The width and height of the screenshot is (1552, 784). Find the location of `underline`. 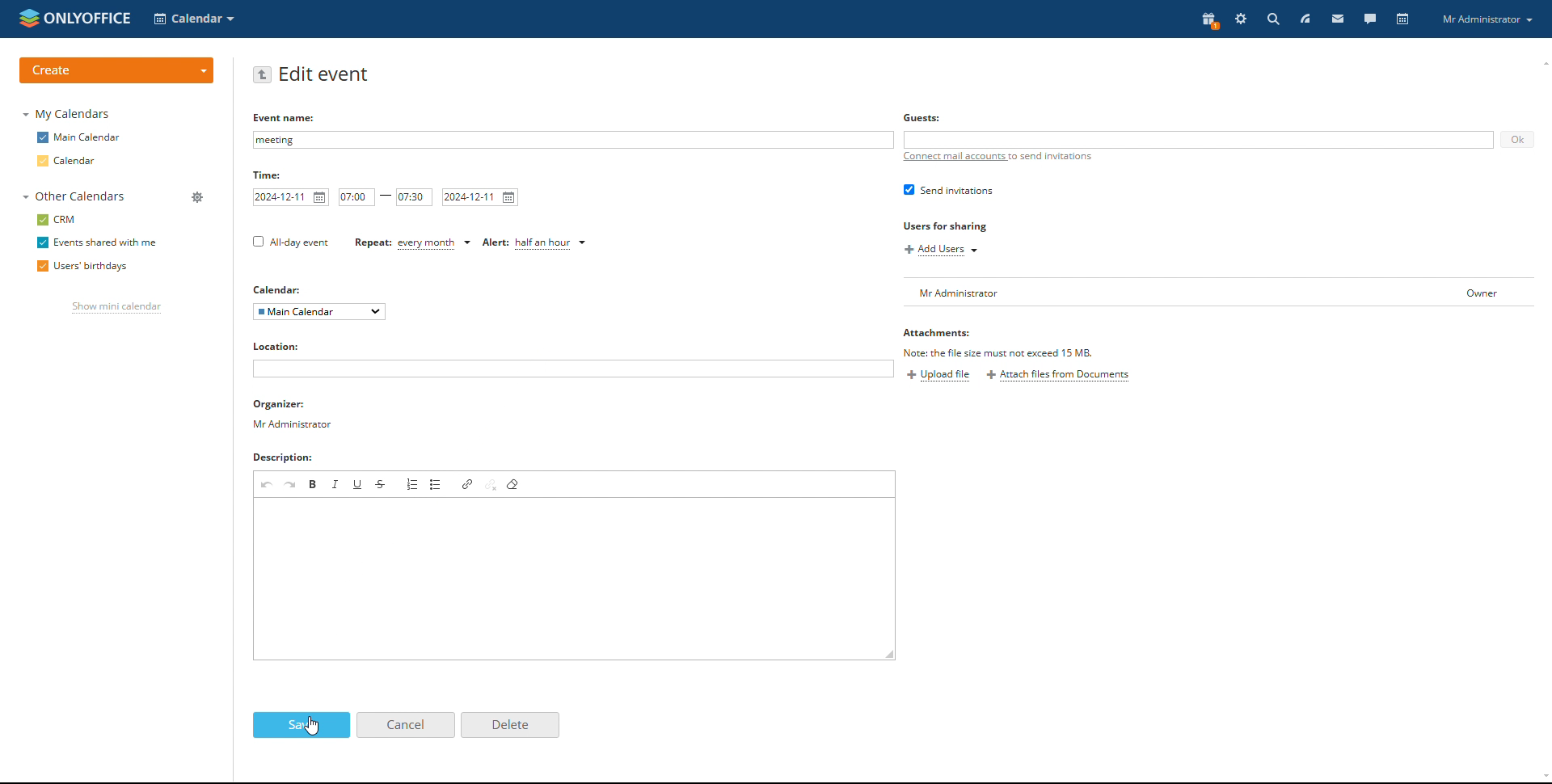

underline is located at coordinates (358, 483).